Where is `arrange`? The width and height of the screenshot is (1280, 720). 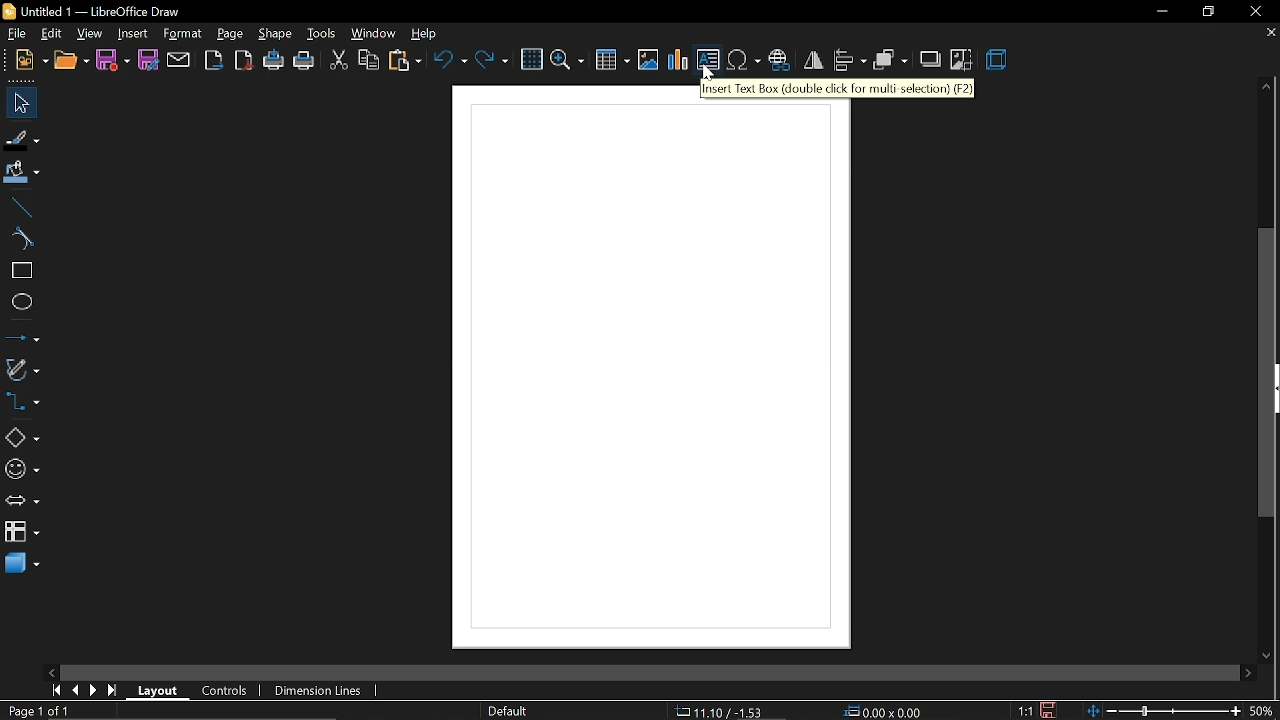
arrange is located at coordinates (891, 62).